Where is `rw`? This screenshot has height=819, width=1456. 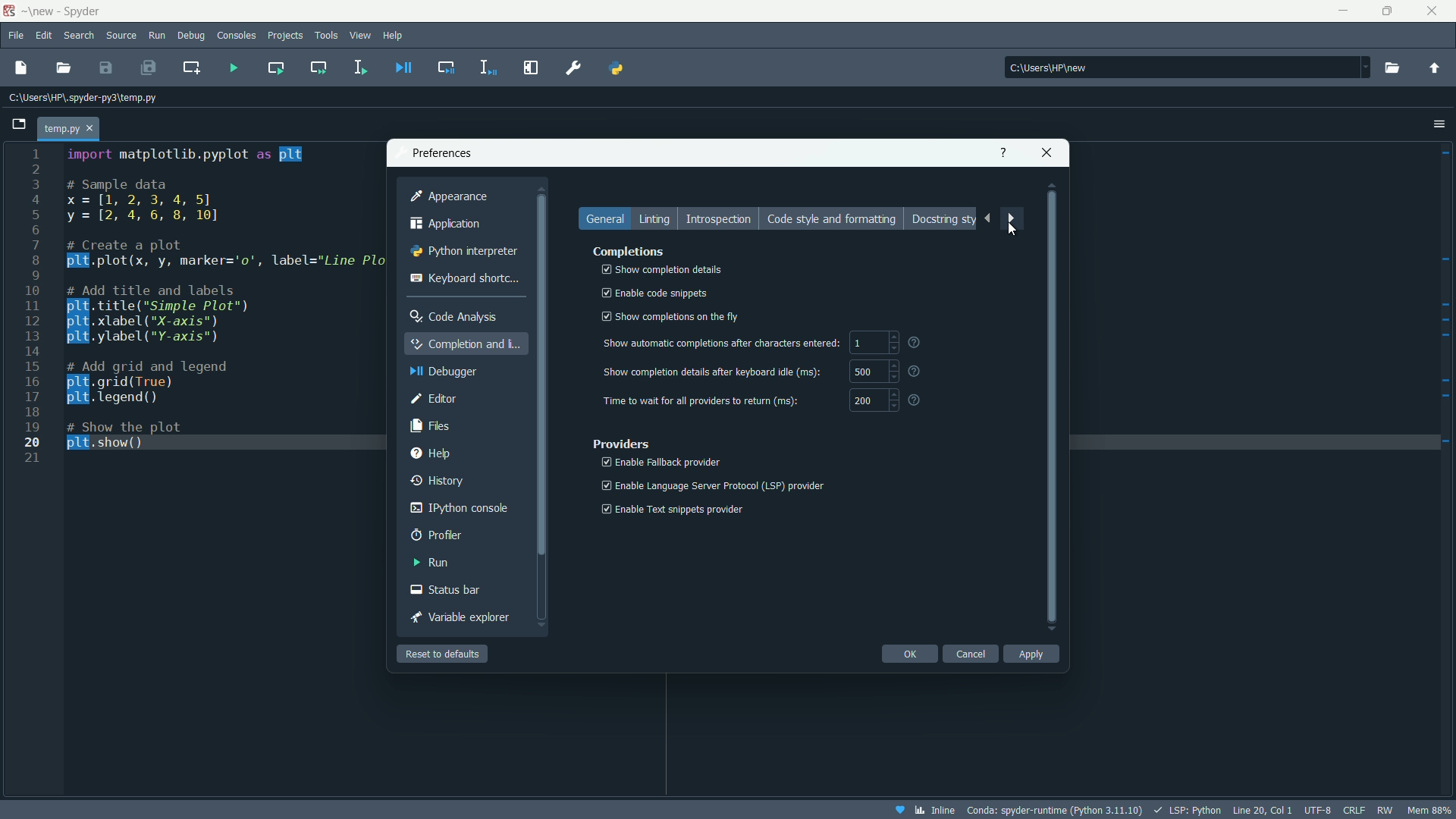 rw is located at coordinates (1389, 810).